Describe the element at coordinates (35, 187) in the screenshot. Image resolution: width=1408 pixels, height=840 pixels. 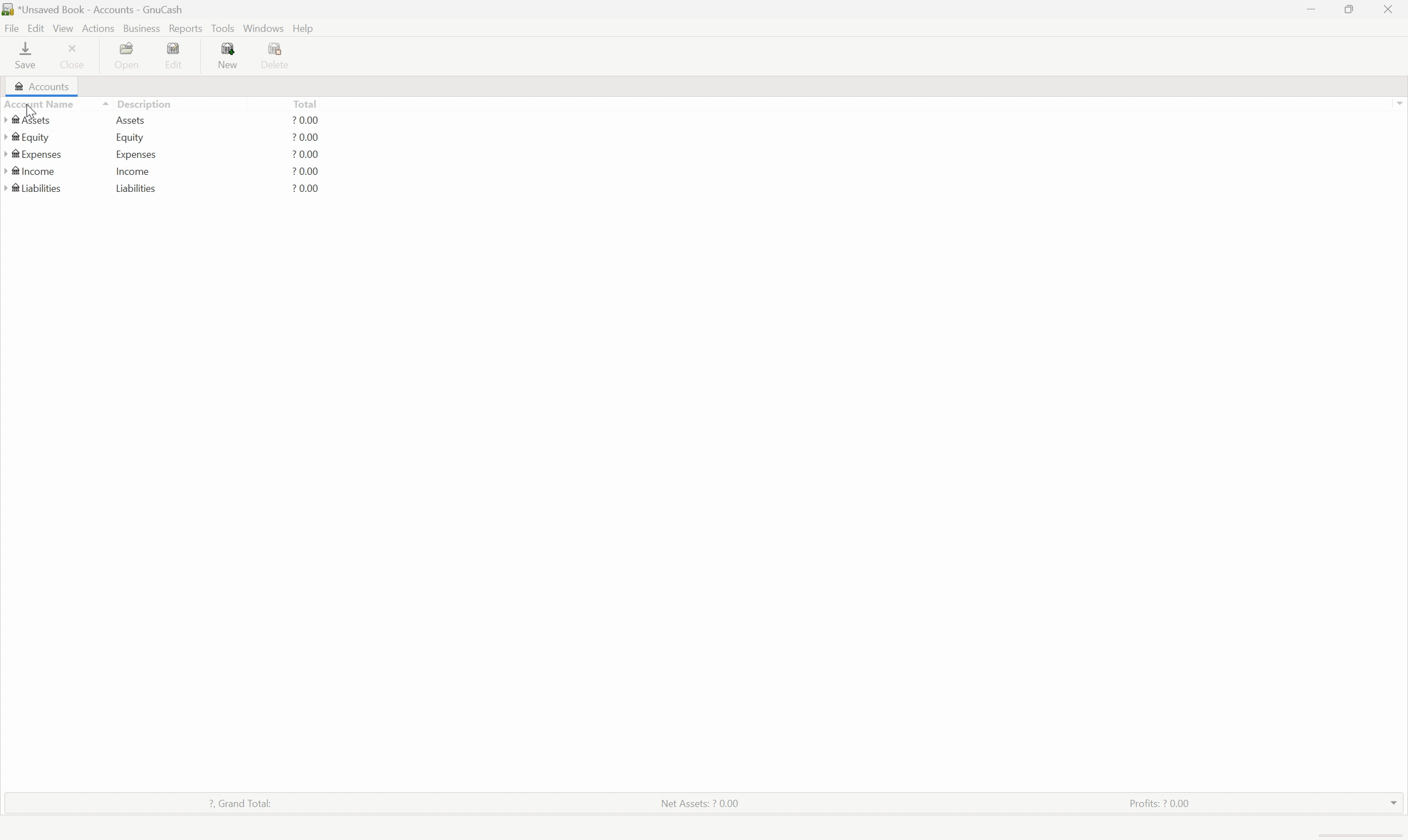
I see `Liabilities` at that location.